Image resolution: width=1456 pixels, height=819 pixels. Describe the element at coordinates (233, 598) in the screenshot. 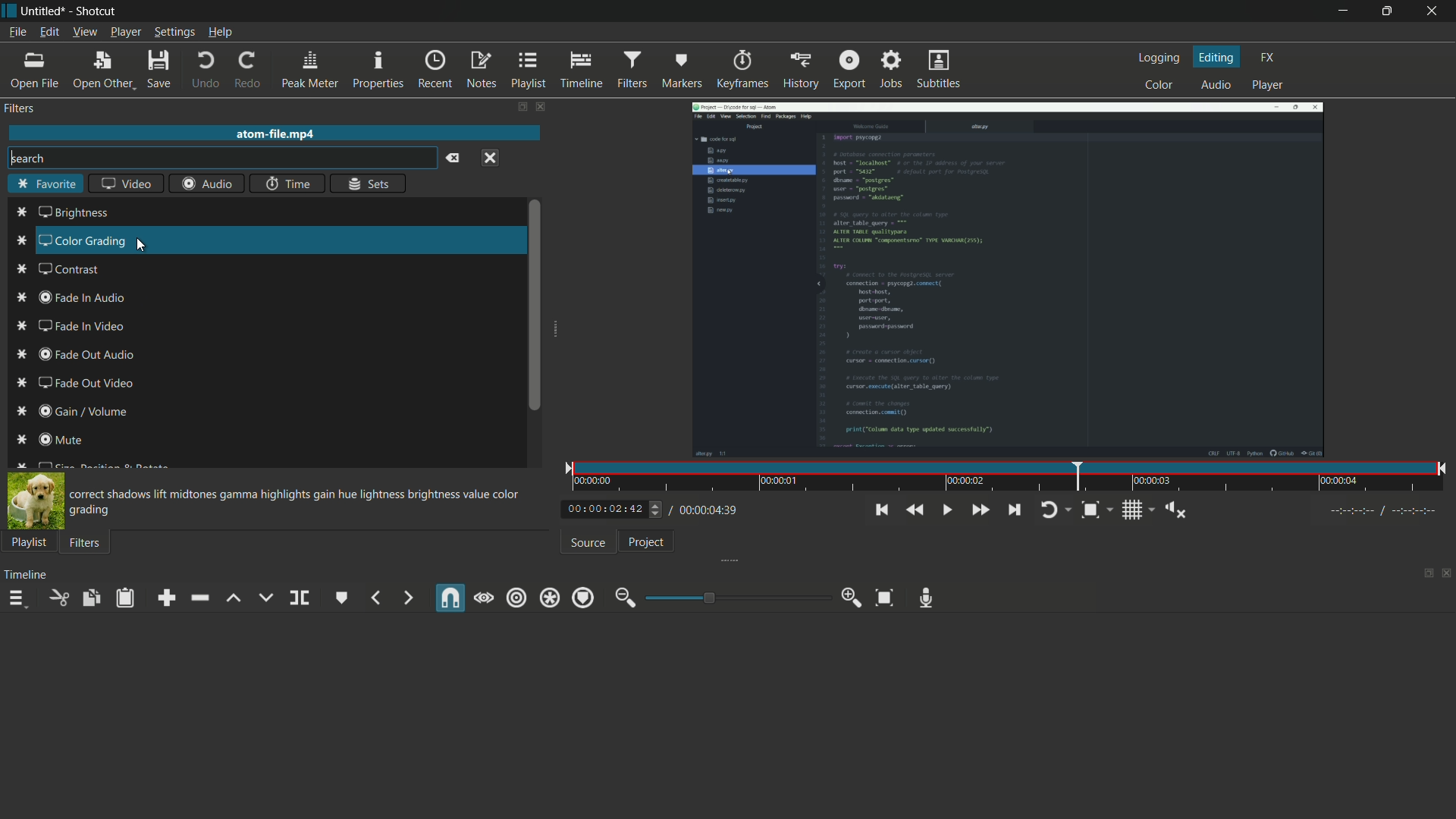

I see `lift` at that location.